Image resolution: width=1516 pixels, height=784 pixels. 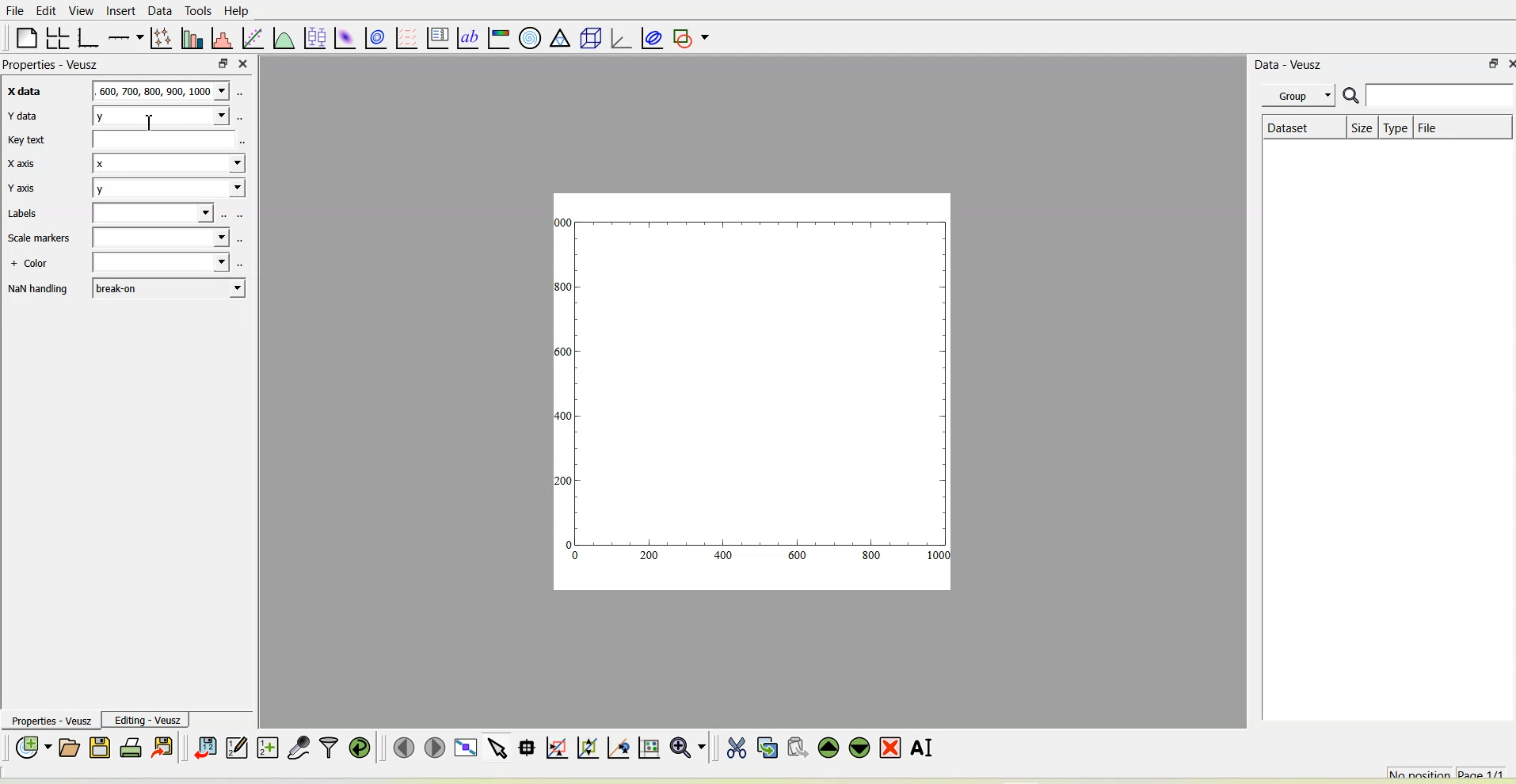 I want to click on 1000, so click(x=939, y=556).